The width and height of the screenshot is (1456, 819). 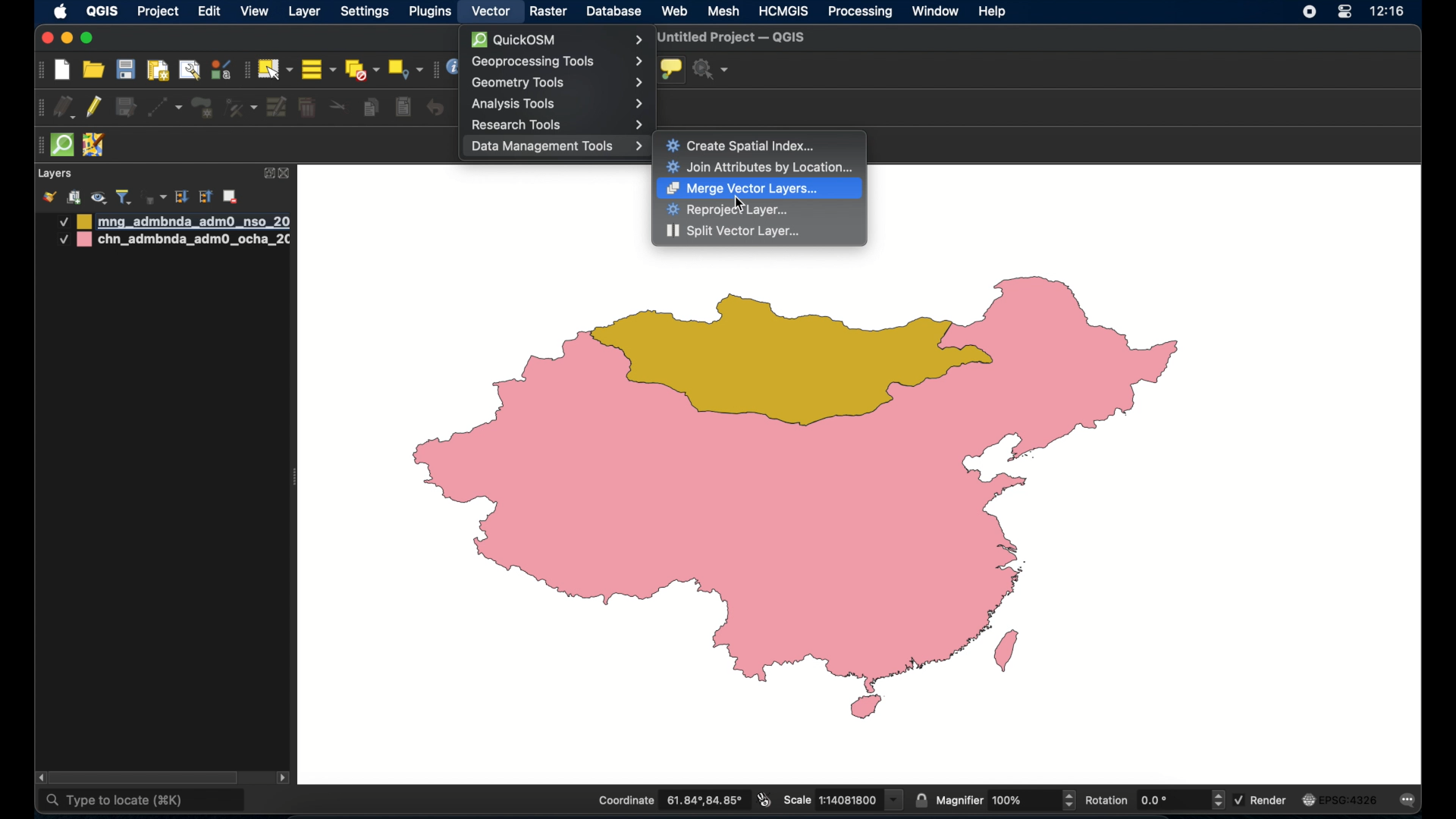 I want to click on show map tips, so click(x=670, y=69).